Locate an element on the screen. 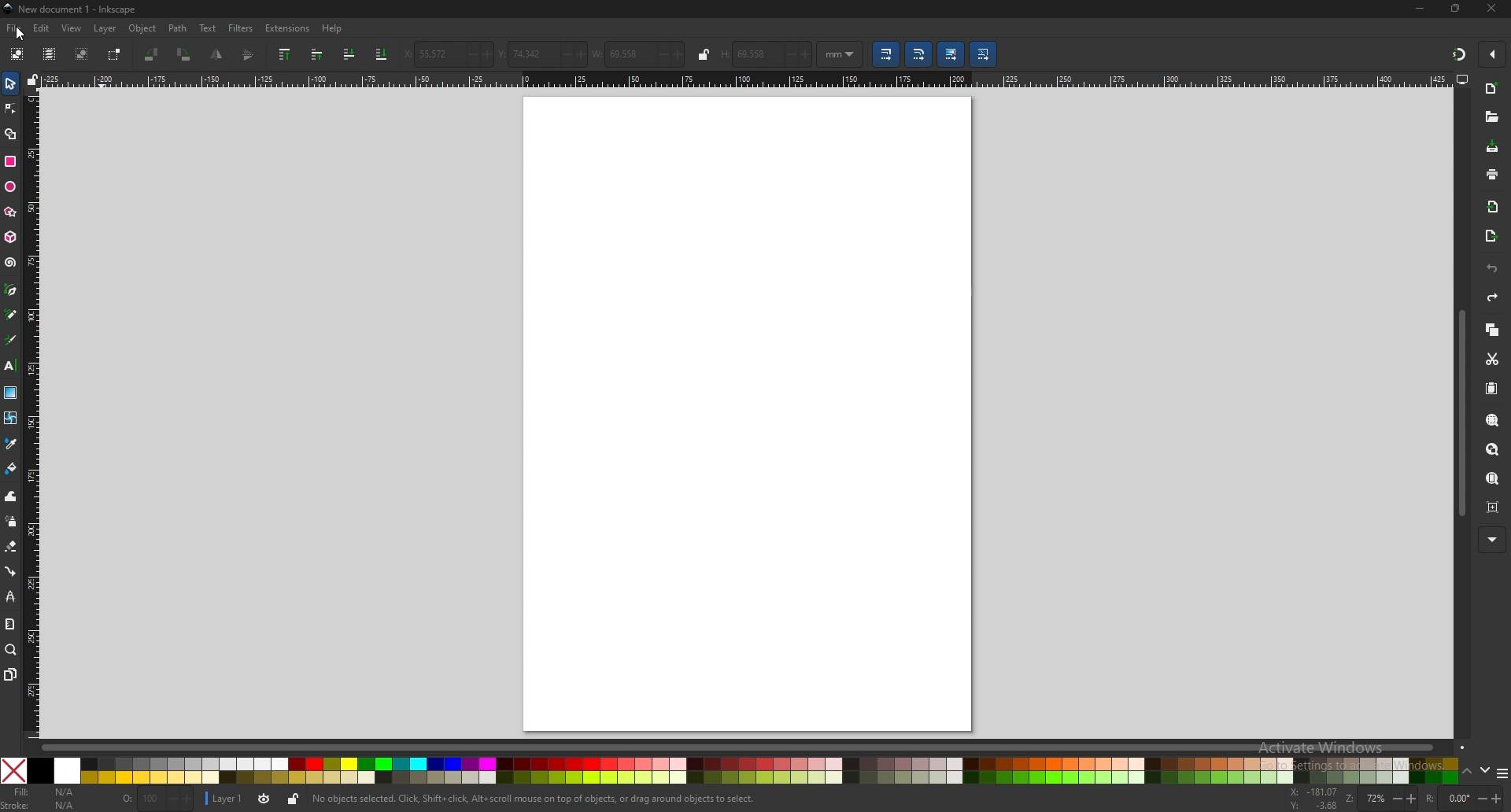  file is located at coordinates (15, 29).